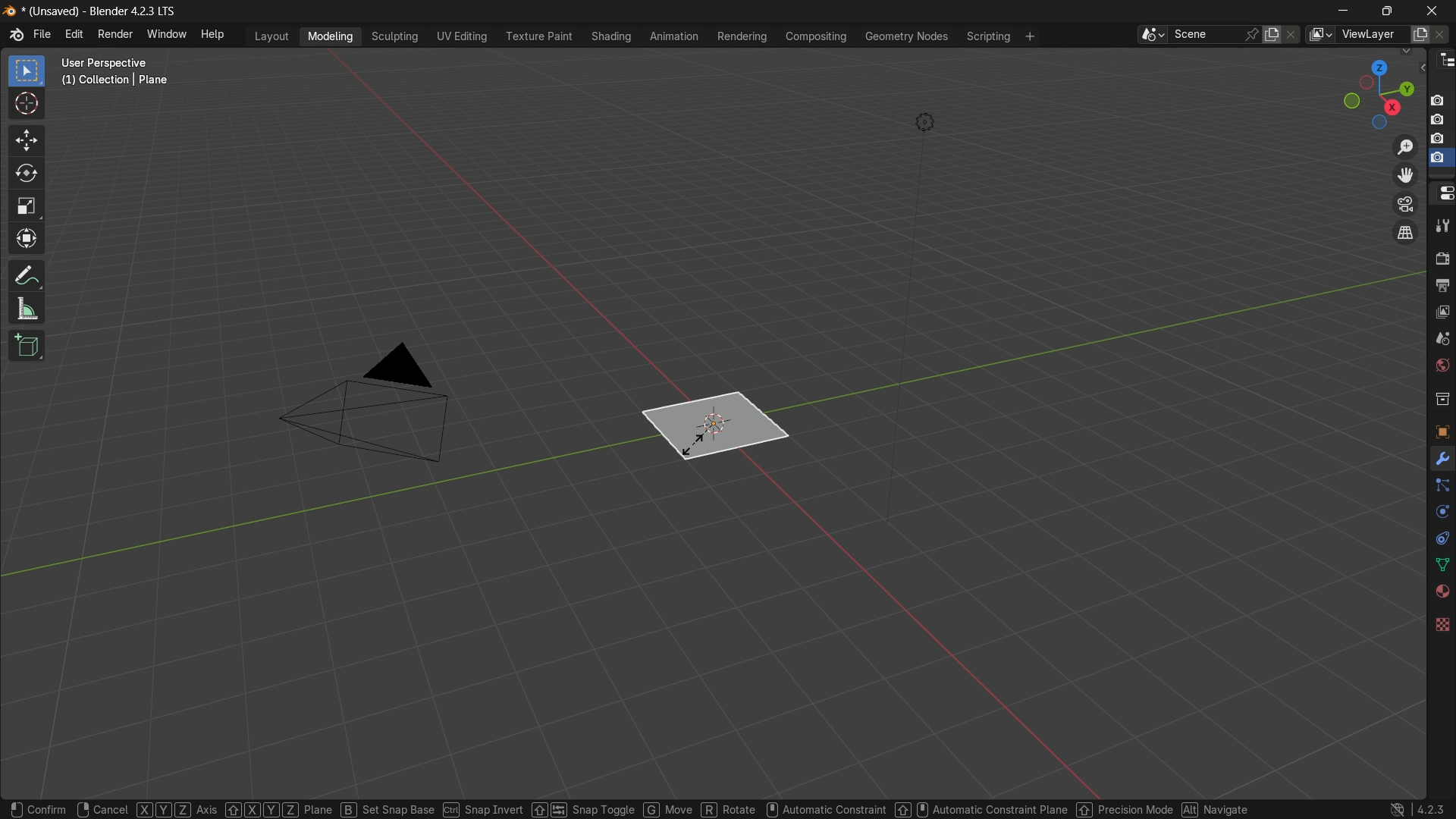 The image size is (1456, 819). Describe the element at coordinates (1372, 33) in the screenshot. I see `view layer name` at that location.